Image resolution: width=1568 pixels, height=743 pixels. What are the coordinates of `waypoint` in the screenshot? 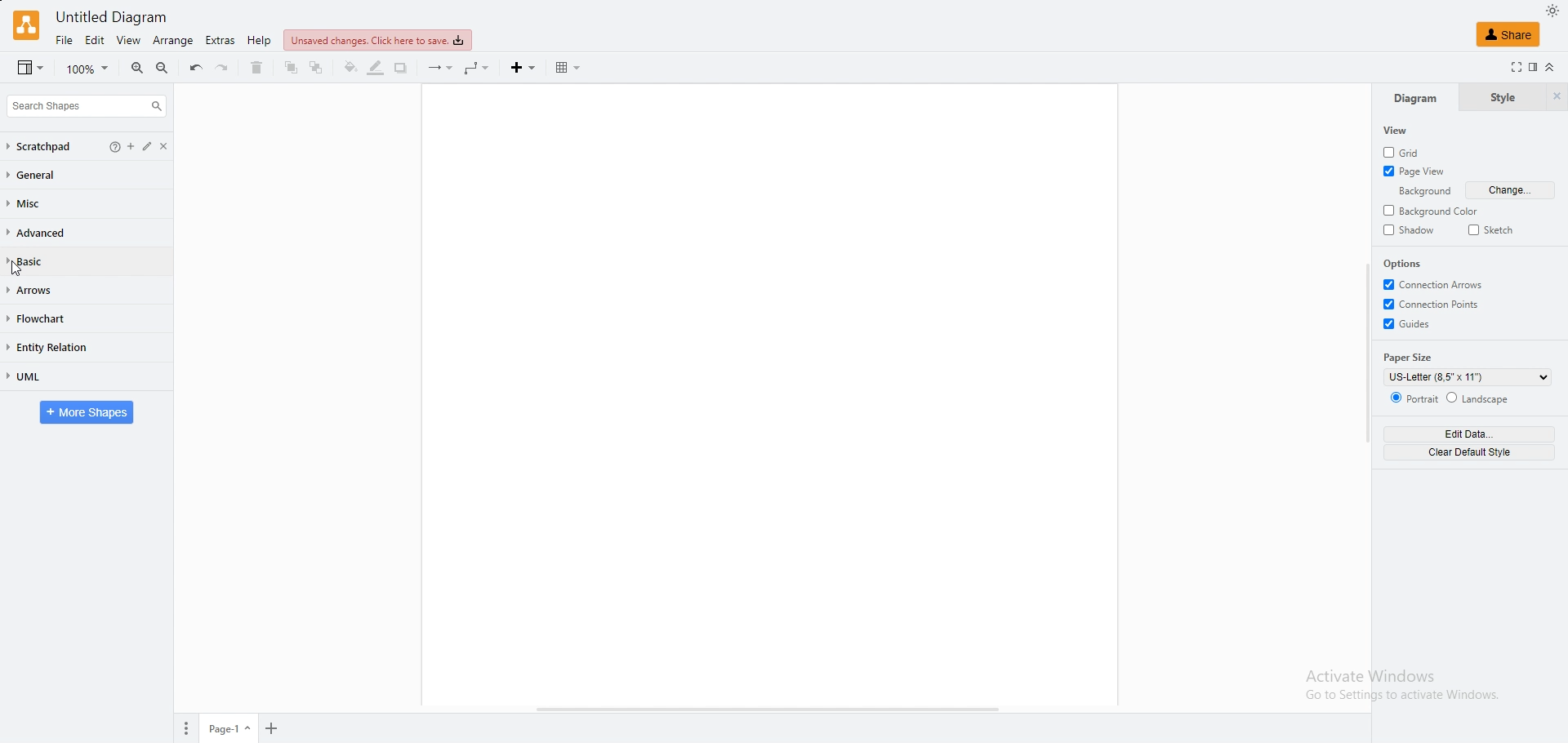 It's located at (479, 69).